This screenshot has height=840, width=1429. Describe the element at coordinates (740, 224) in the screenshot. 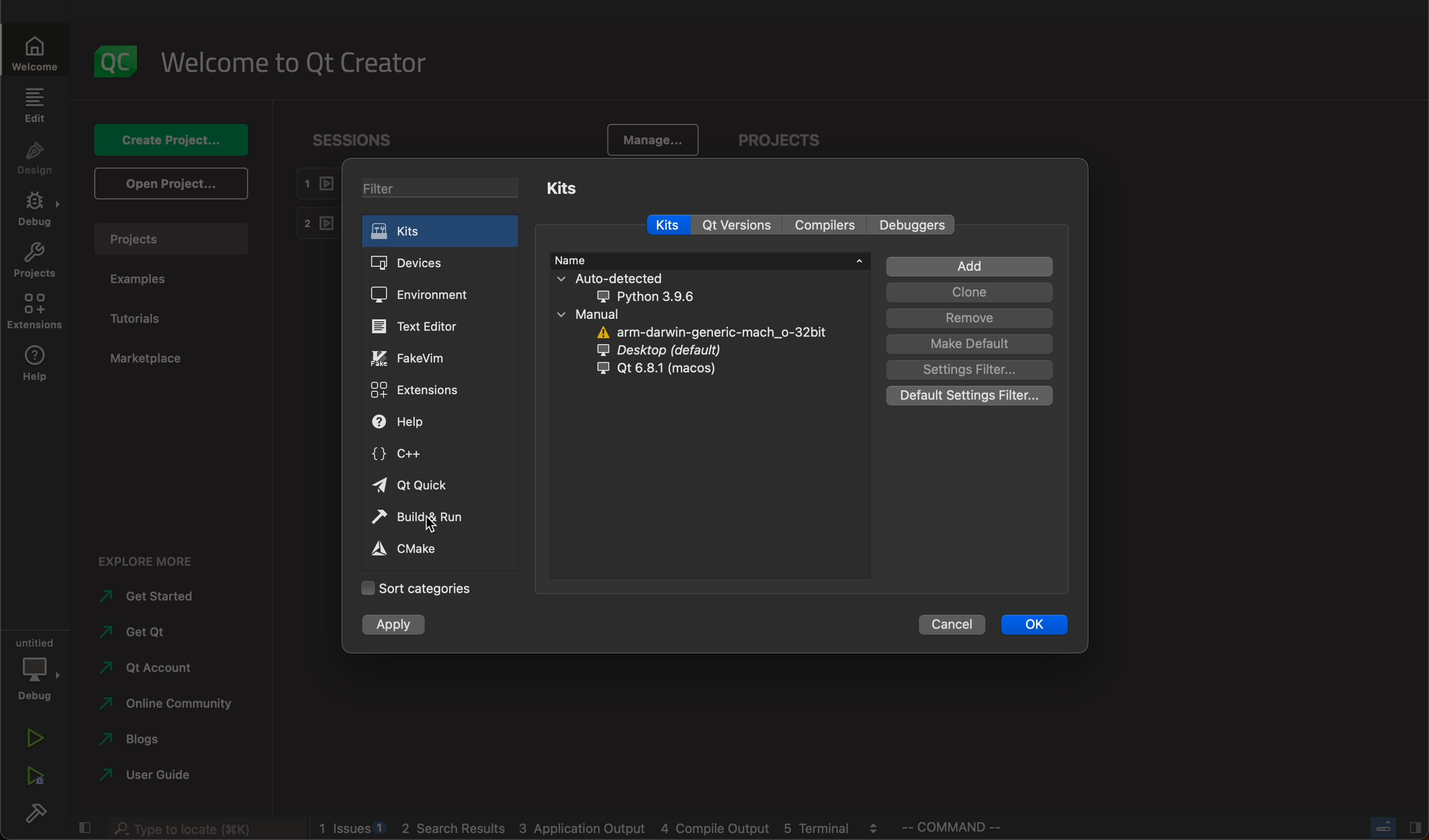

I see `qt versions` at that location.